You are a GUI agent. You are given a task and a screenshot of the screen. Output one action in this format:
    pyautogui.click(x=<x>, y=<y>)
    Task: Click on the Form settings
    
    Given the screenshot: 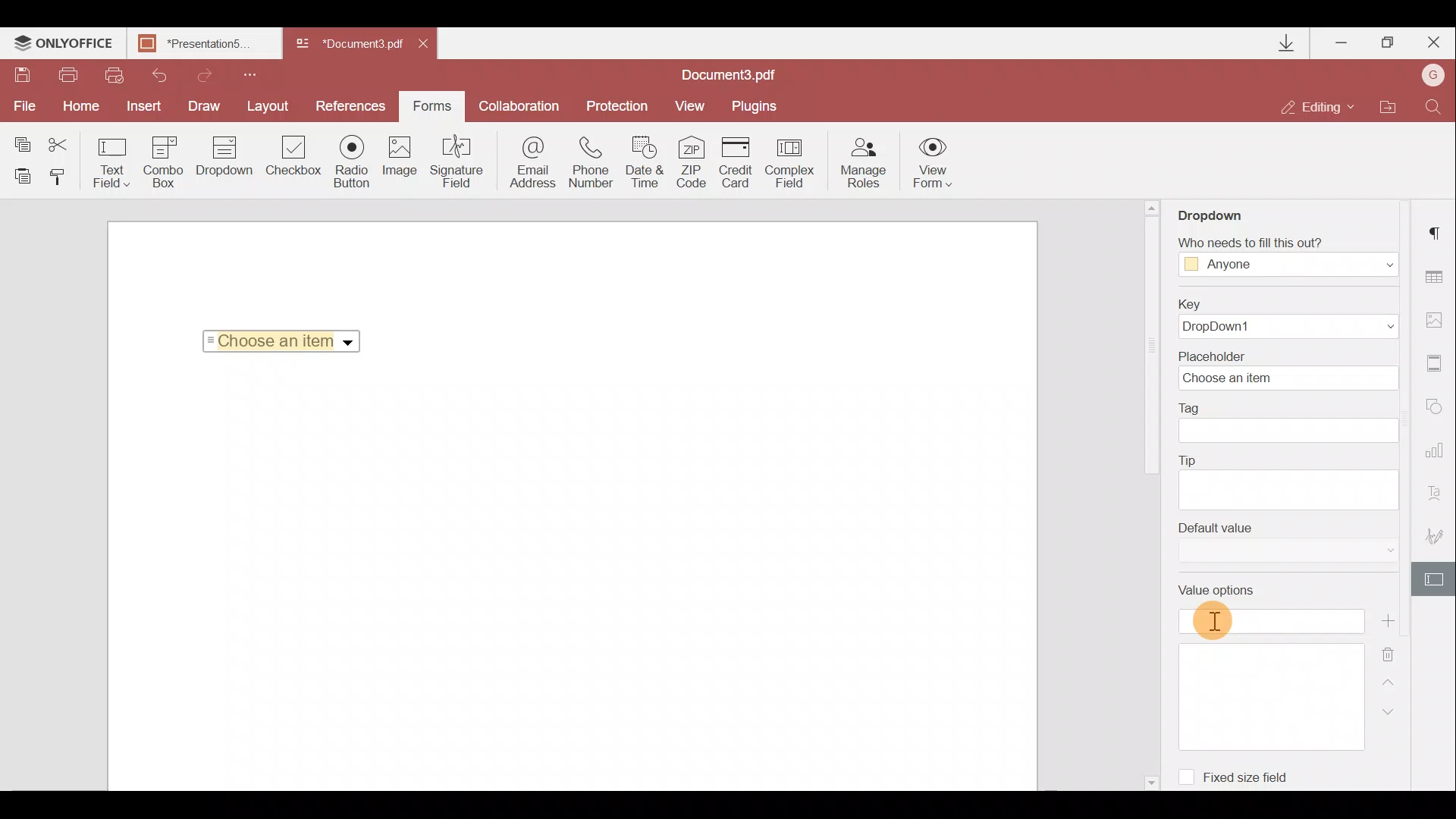 What is the action you would take?
    pyautogui.click(x=1436, y=579)
    